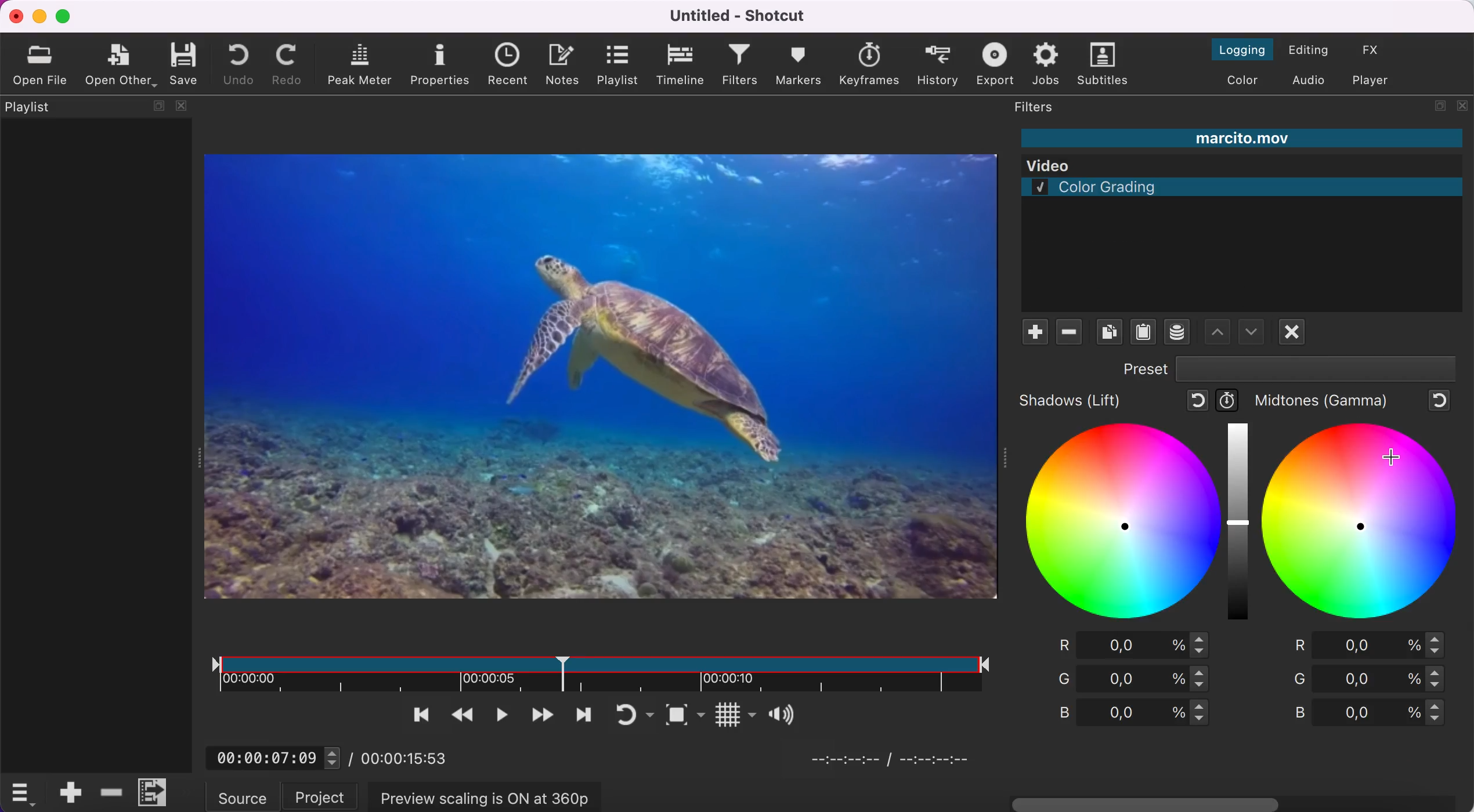 The image size is (1474, 812). I want to click on Untitled - Shotcut, so click(739, 16).